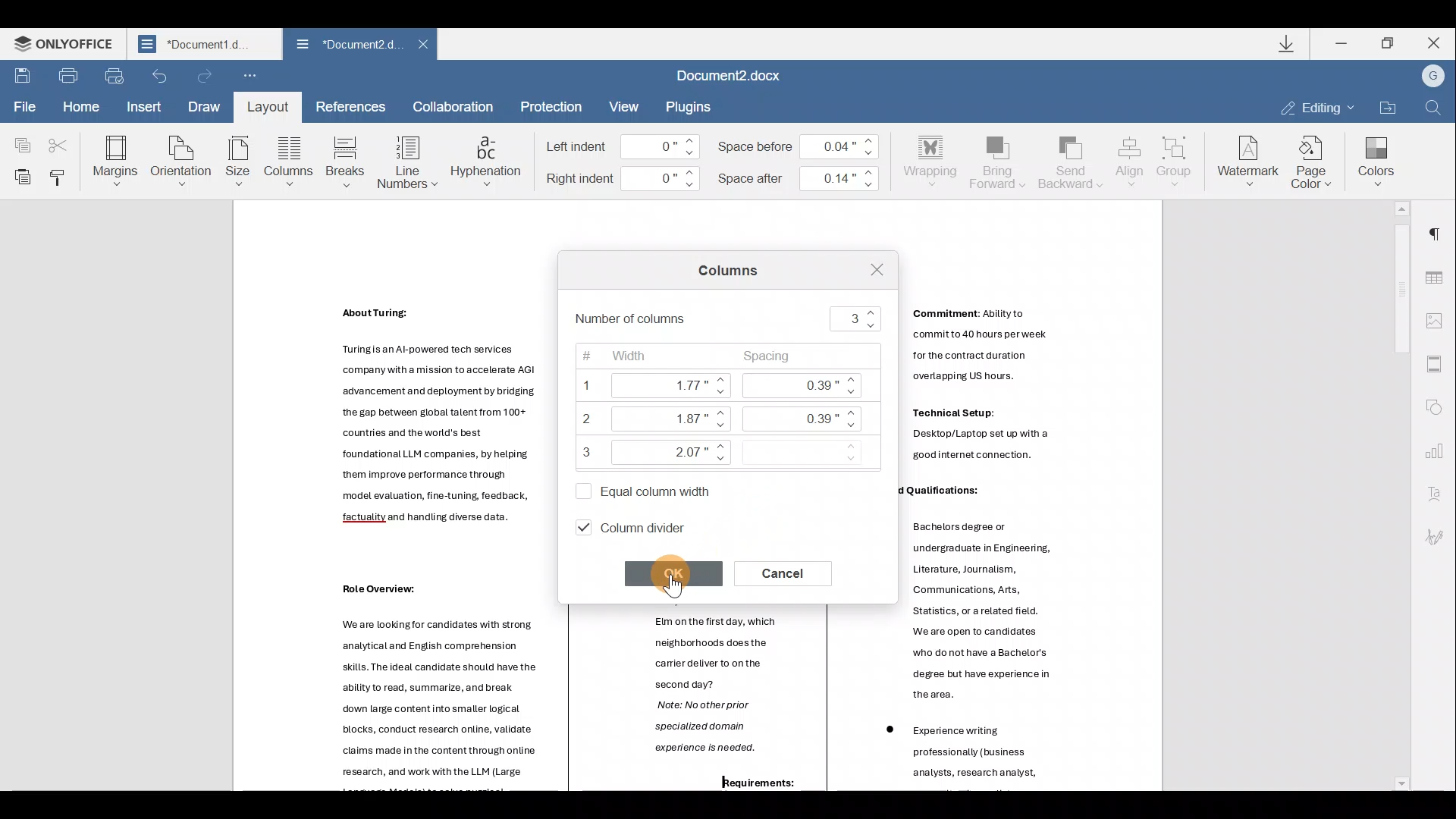 Image resolution: width=1456 pixels, height=819 pixels. I want to click on ONLYOFFICE, so click(67, 47).